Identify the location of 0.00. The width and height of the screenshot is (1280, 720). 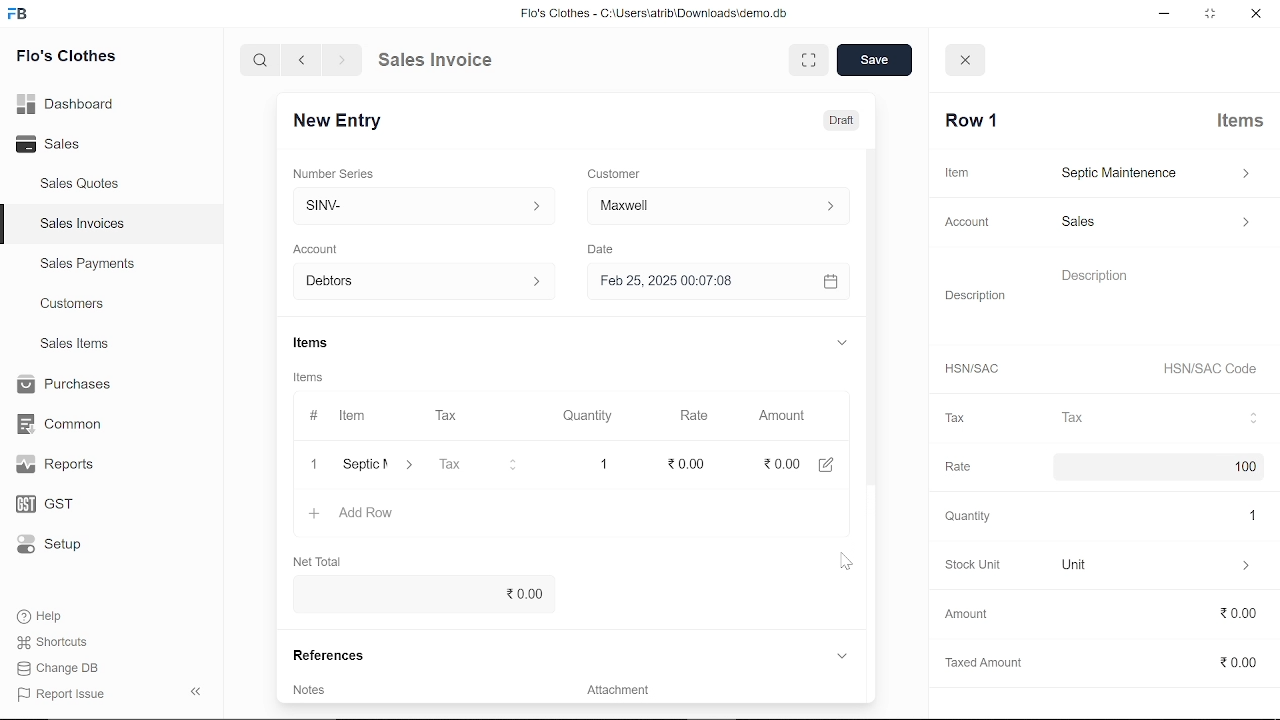
(422, 592).